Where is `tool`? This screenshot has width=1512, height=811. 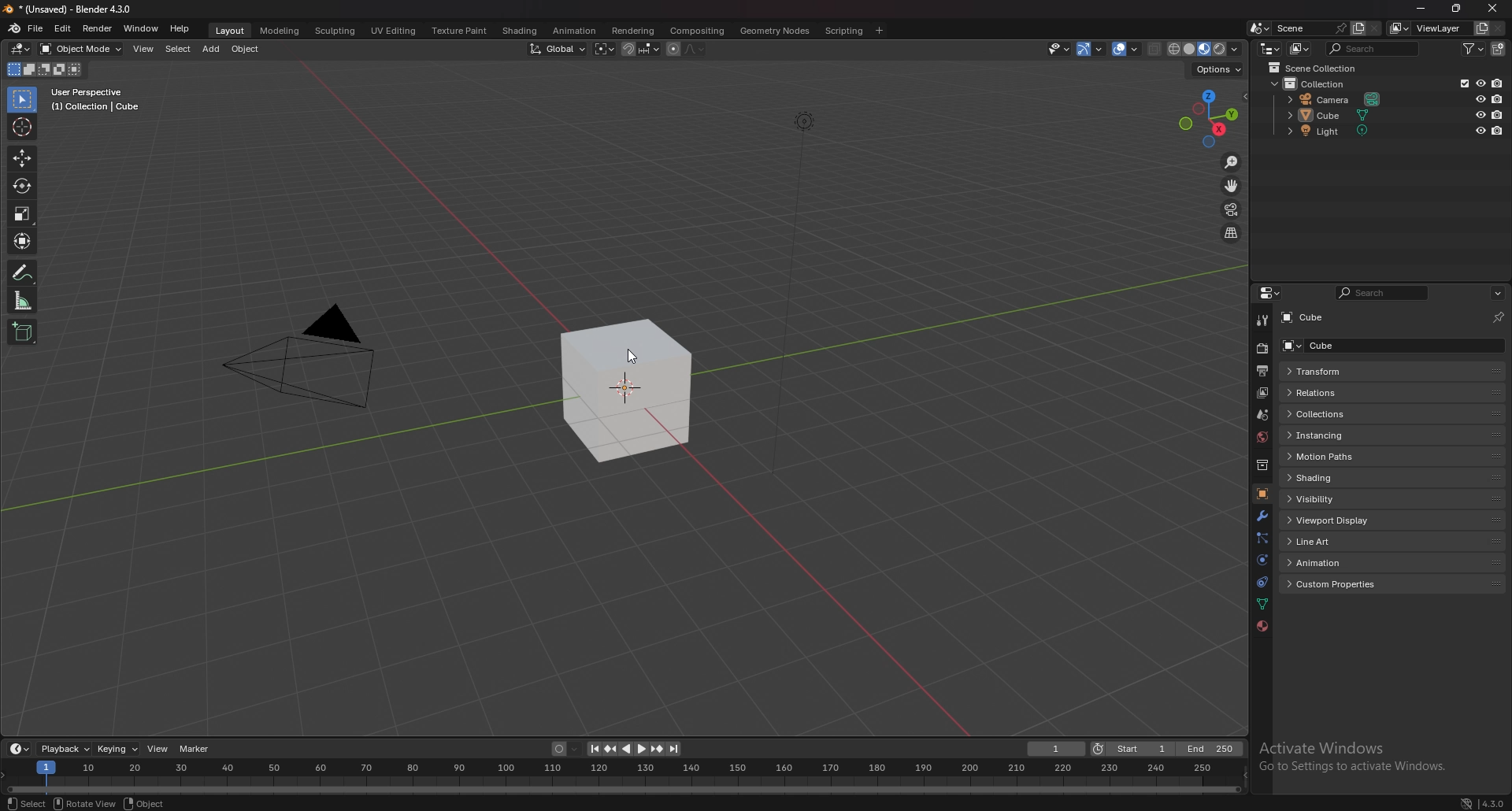
tool is located at coordinates (1261, 320).